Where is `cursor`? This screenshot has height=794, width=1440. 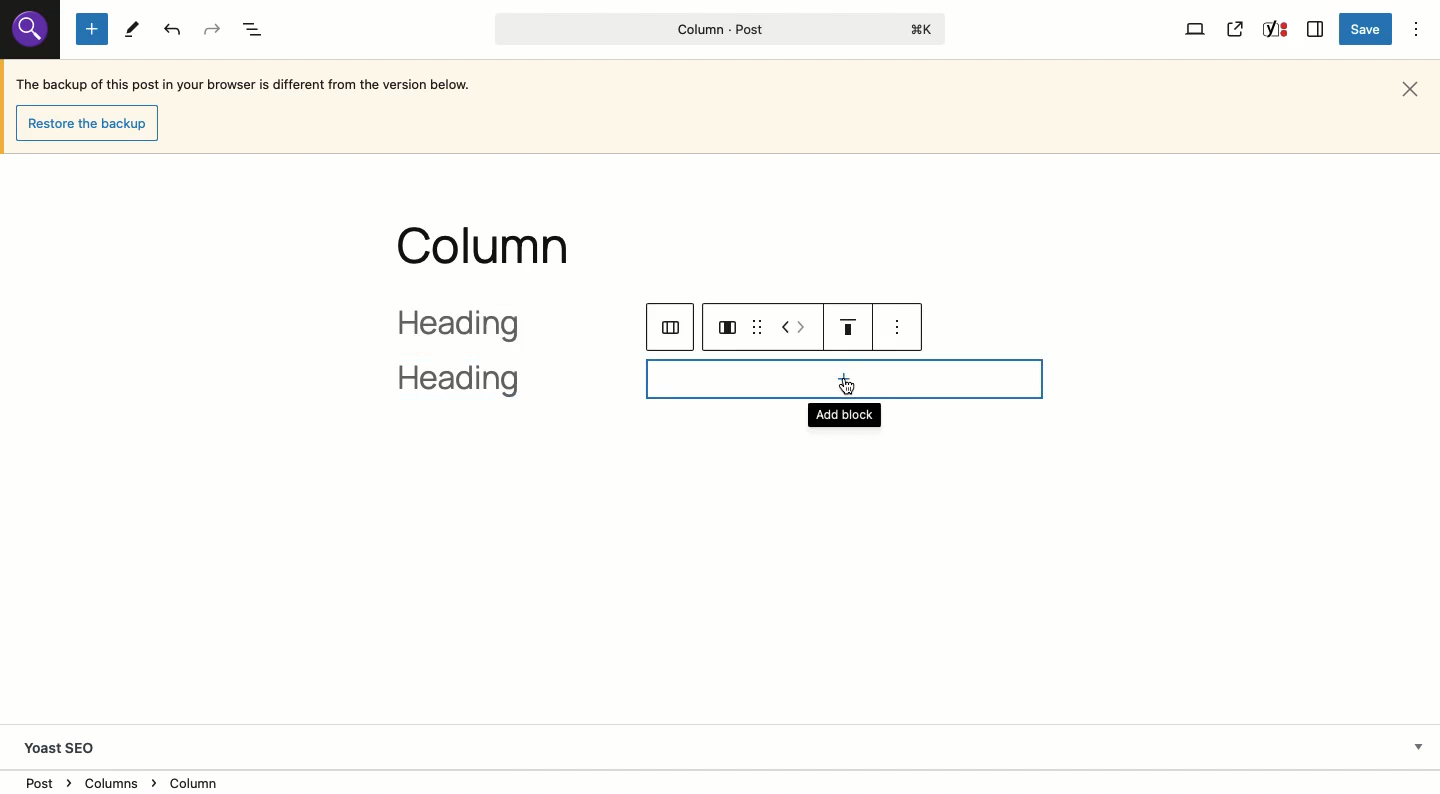 cursor is located at coordinates (846, 384).